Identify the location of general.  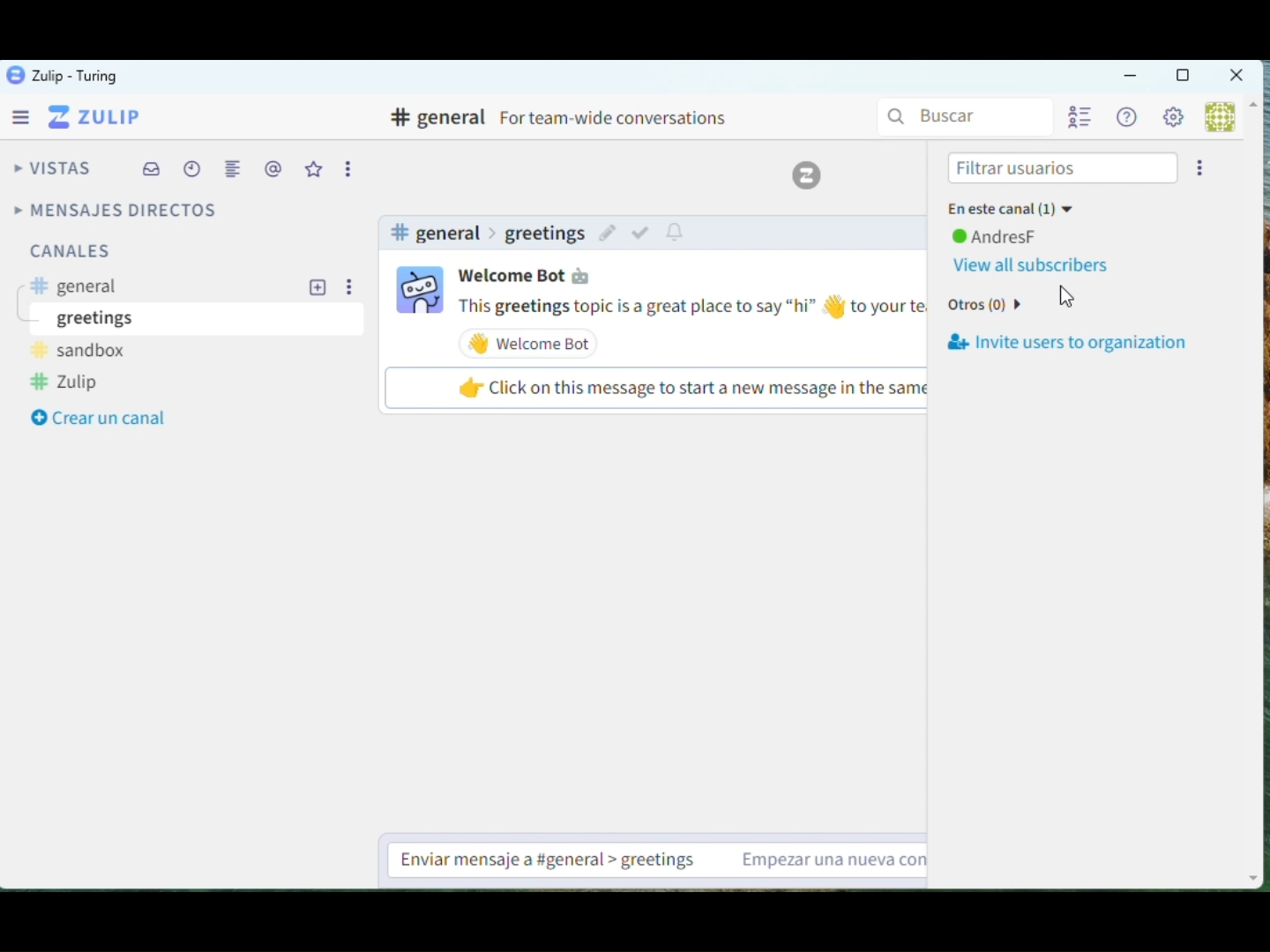
(82, 289).